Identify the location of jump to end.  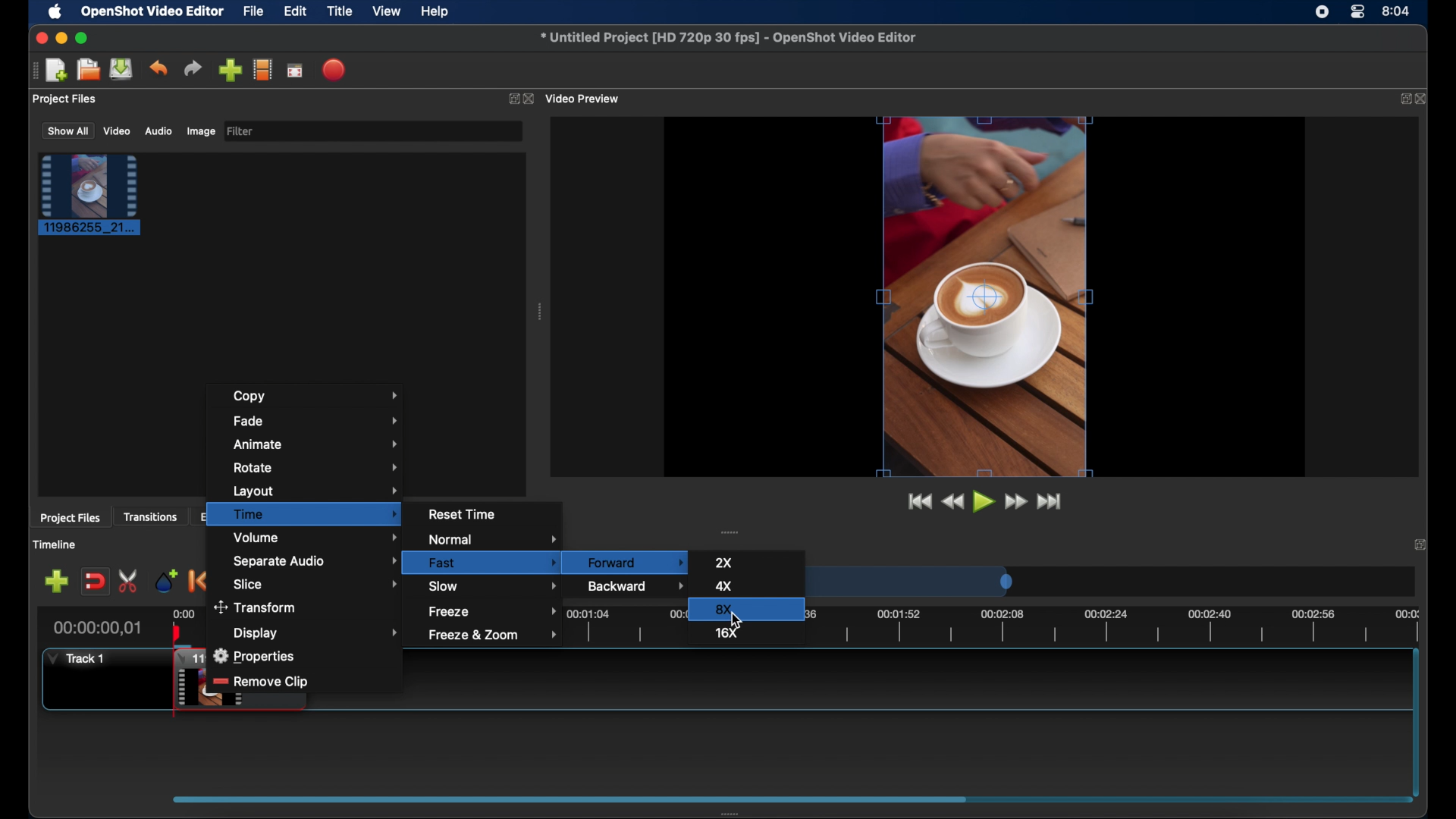
(1049, 502).